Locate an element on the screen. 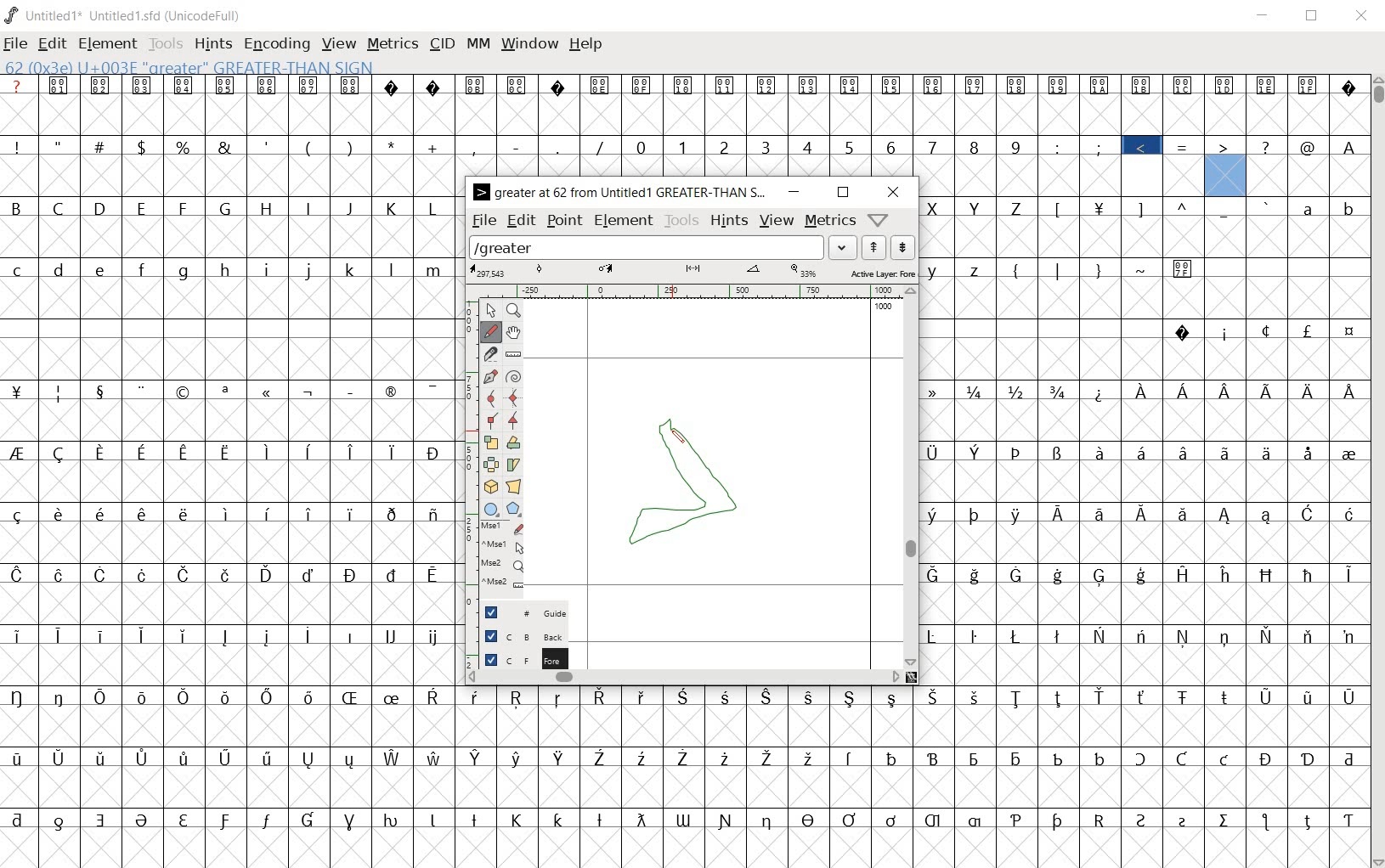 This screenshot has height=868, width=1385. glyphs is located at coordinates (227, 465).